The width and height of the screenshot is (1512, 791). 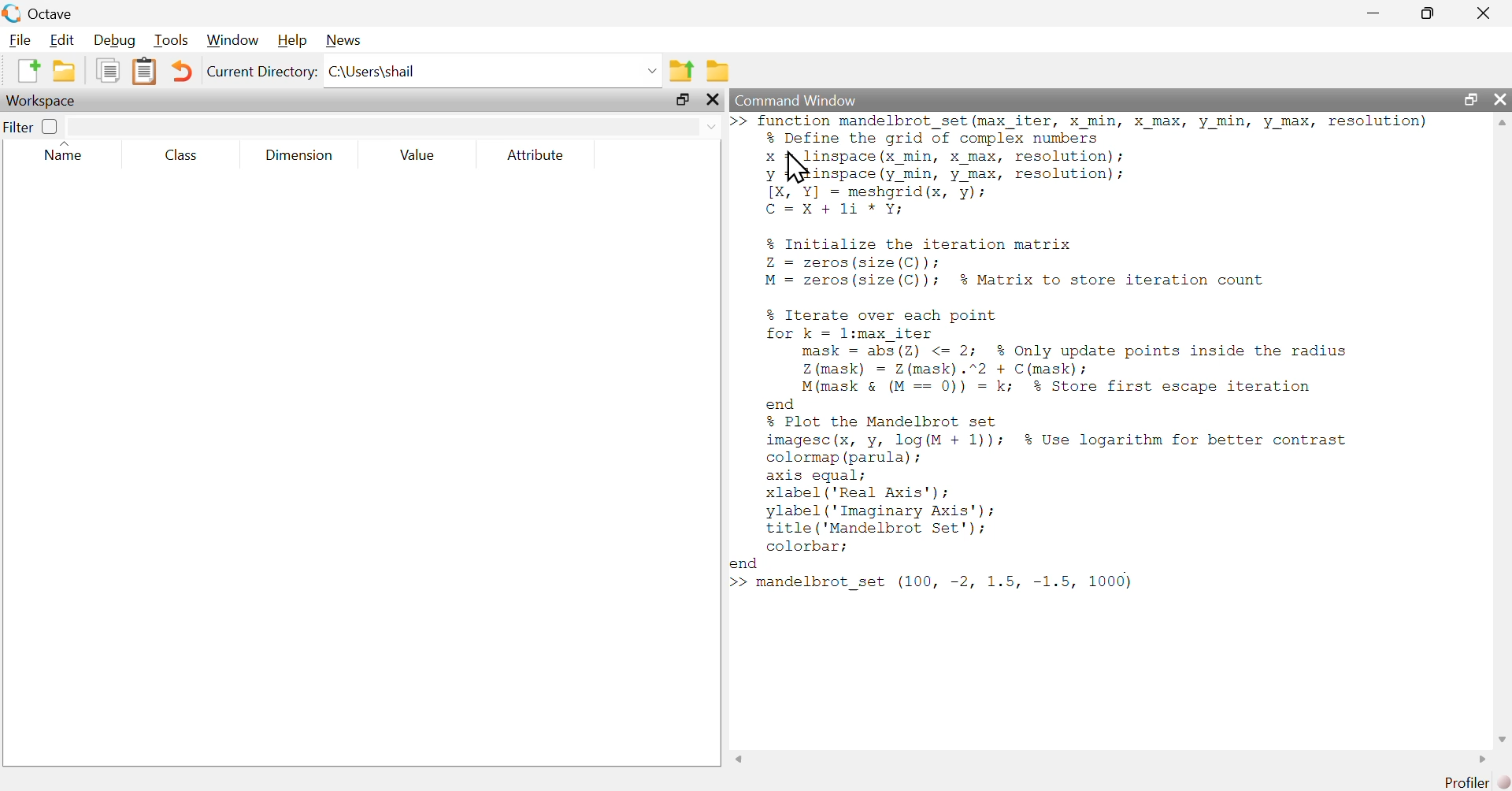 What do you see at coordinates (537, 156) in the screenshot?
I see `Attribute` at bounding box center [537, 156].